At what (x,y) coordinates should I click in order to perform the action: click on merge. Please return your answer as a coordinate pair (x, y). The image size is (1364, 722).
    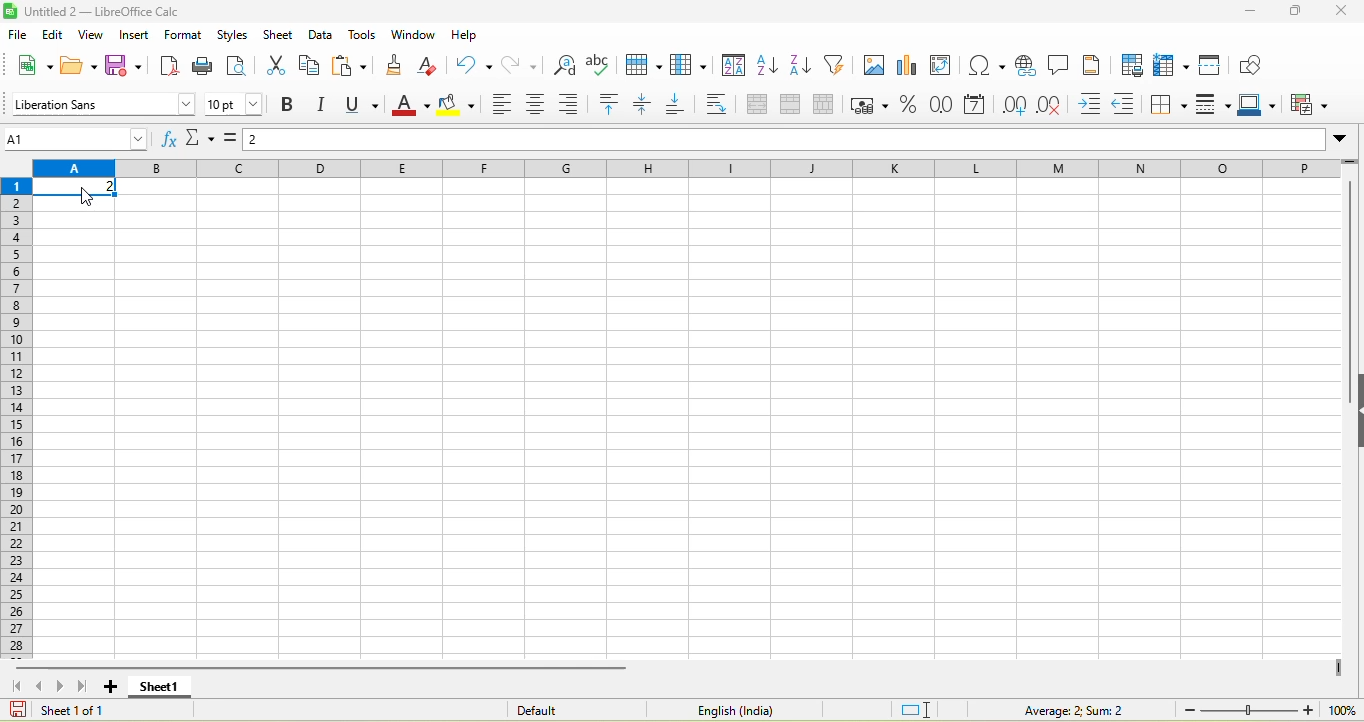
    Looking at the image, I should click on (797, 106).